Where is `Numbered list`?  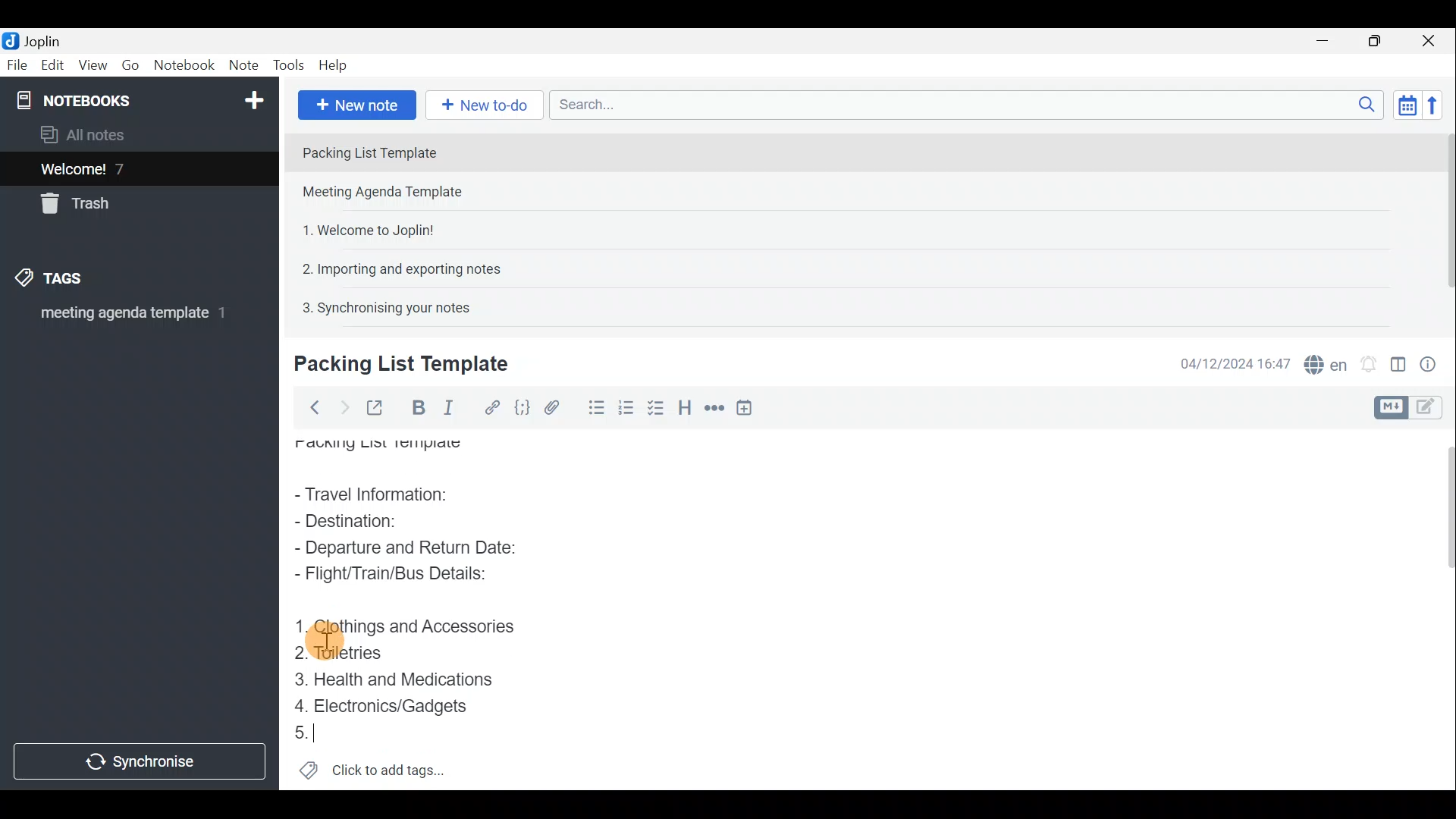
Numbered list is located at coordinates (657, 407).